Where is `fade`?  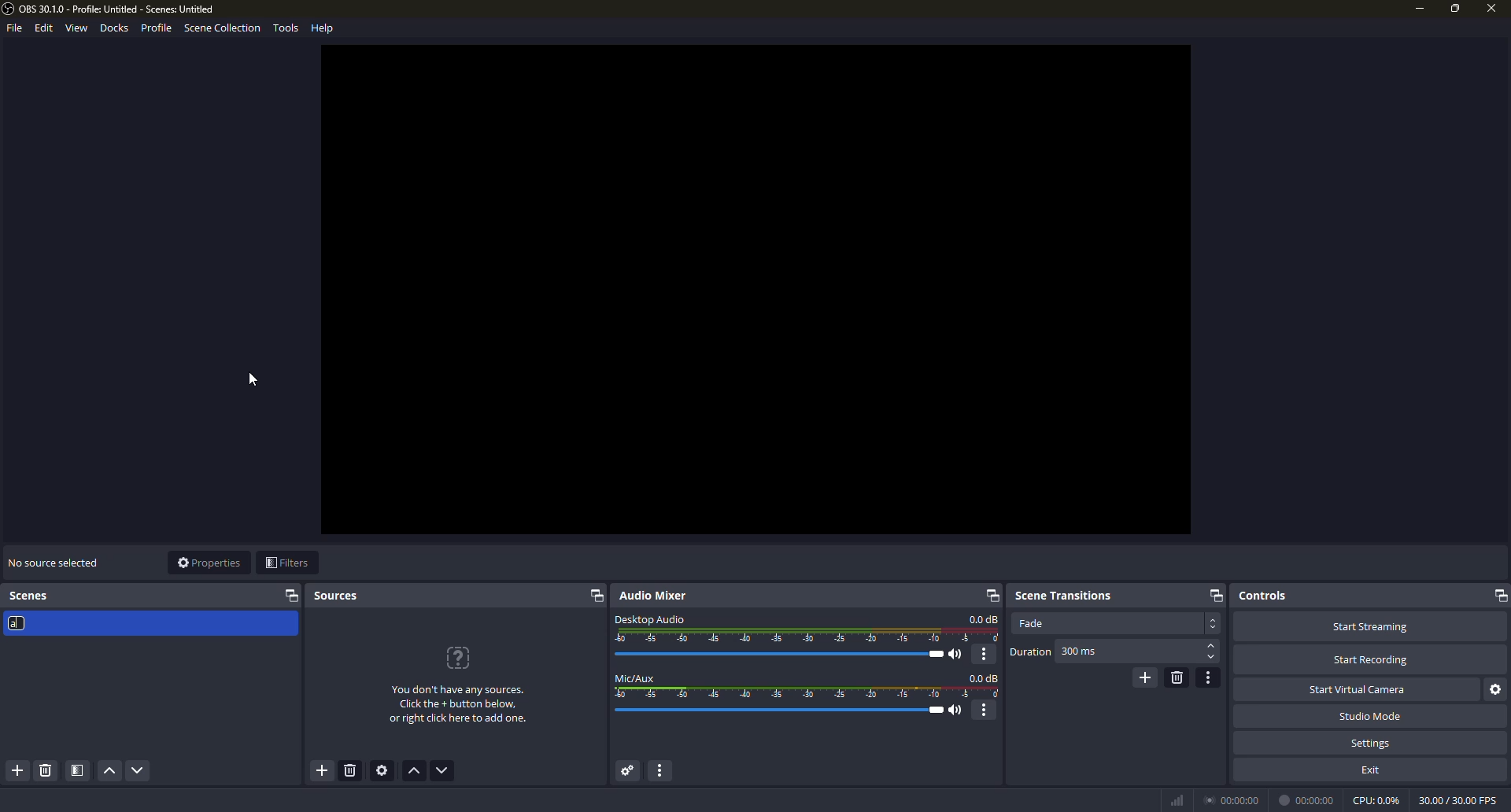
fade is located at coordinates (1031, 623).